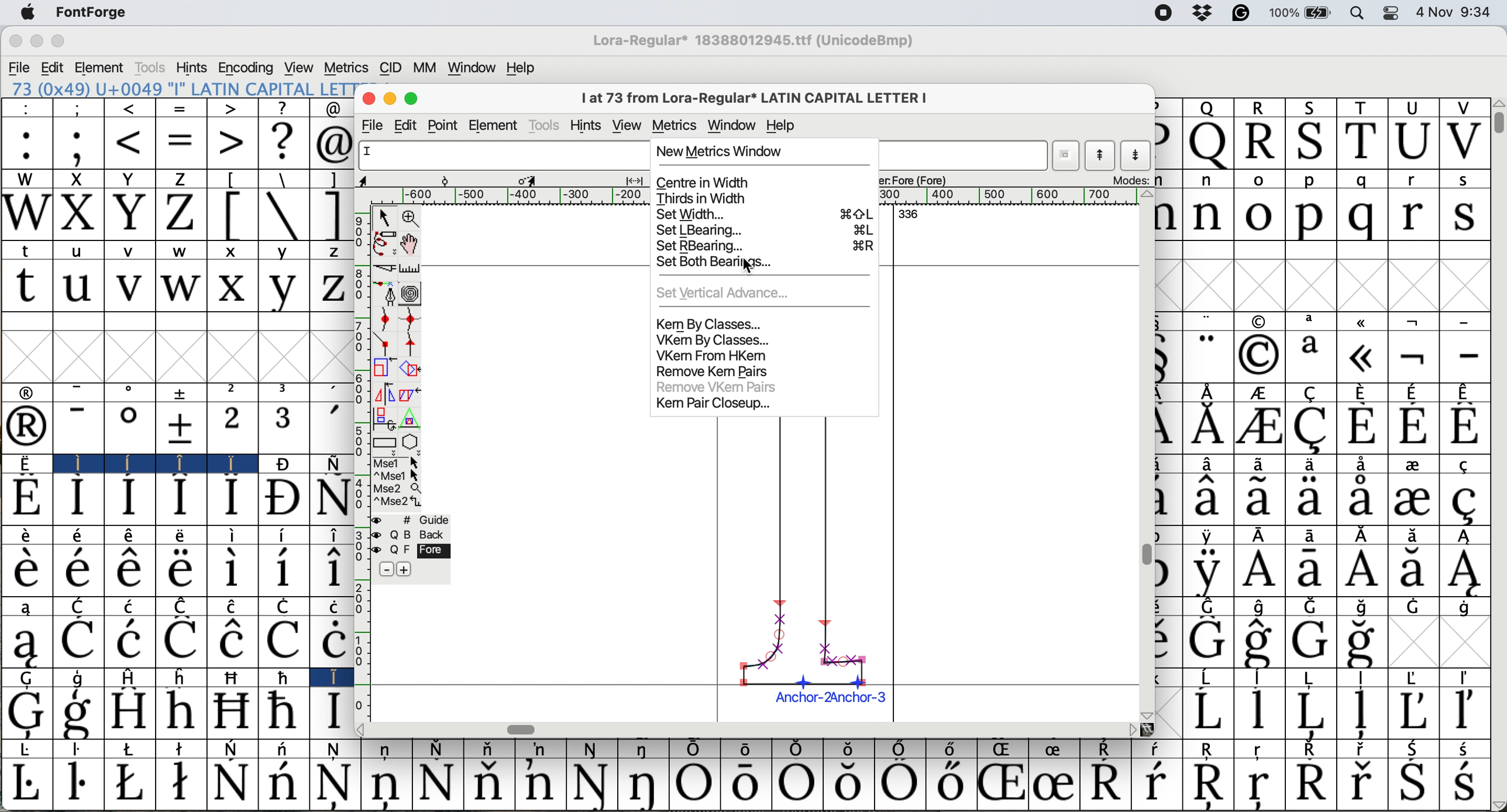  Describe the element at coordinates (846, 749) in the screenshot. I see `Symbol` at that location.